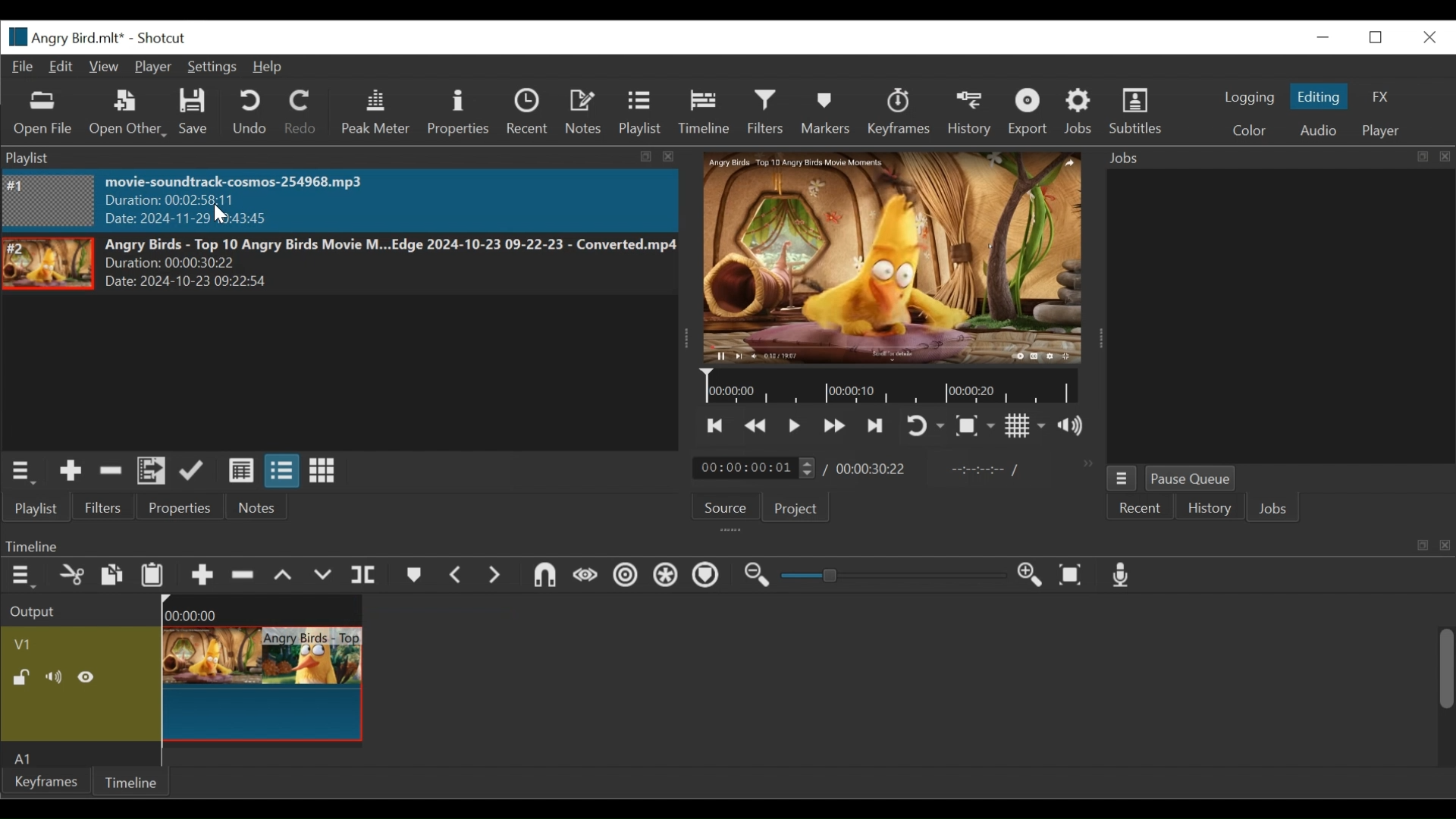 Image resolution: width=1456 pixels, height=819 pixels. I want to click on minimize, so click(1323, 35).